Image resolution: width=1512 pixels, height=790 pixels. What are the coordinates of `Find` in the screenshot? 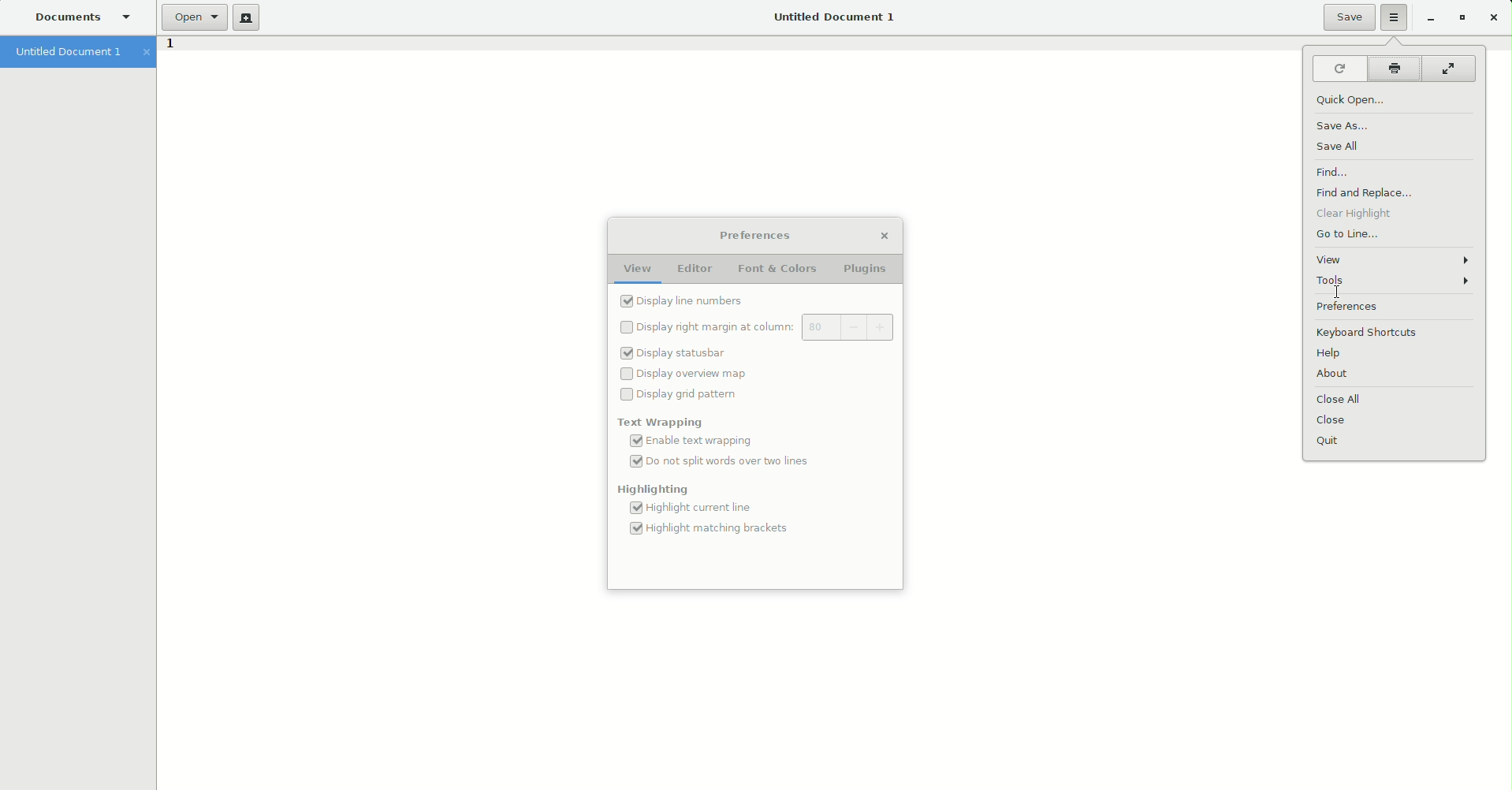 It's located at (1336, 170).